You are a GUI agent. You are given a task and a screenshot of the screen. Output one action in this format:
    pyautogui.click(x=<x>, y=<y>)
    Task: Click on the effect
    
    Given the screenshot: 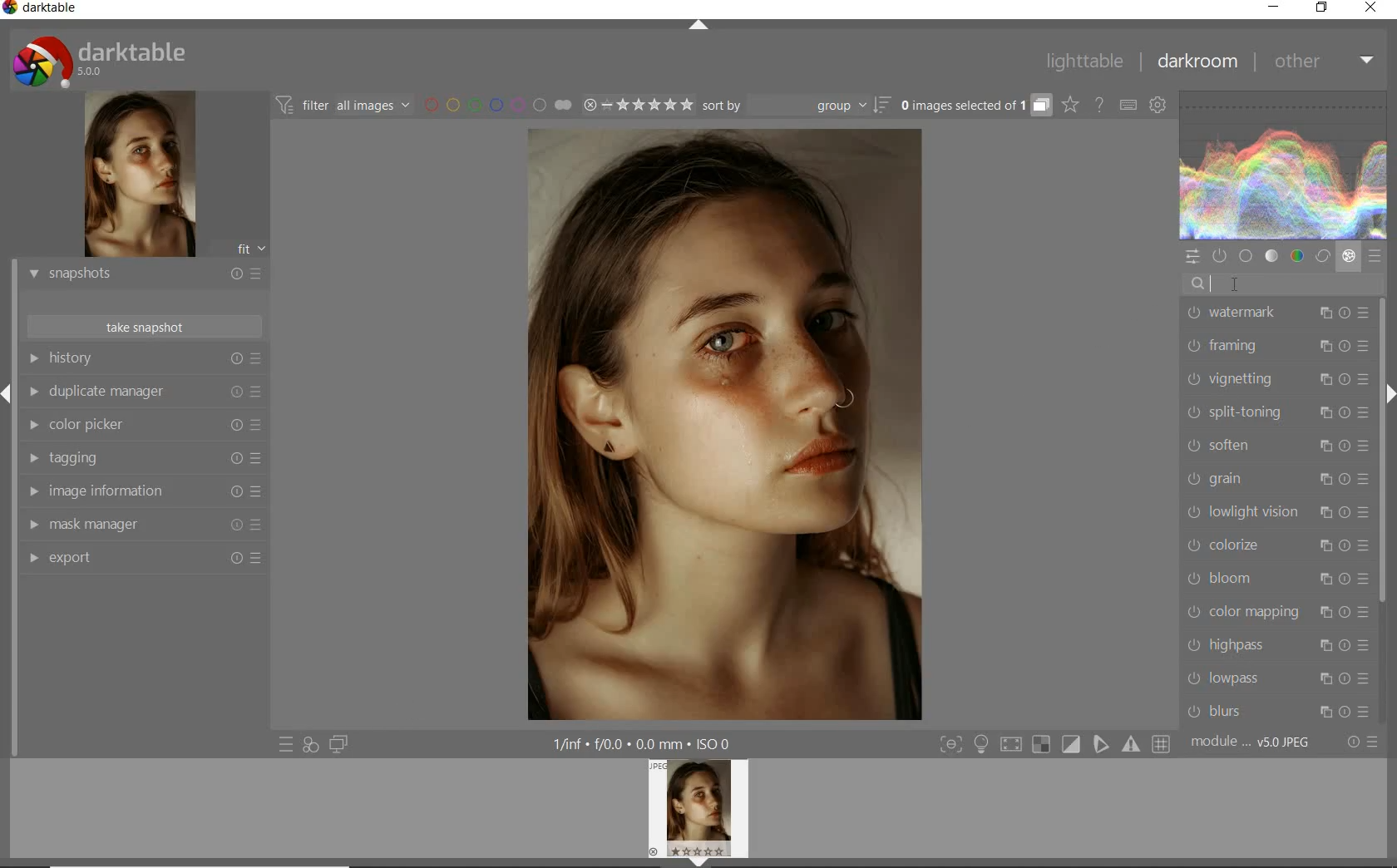 What is the action you would take?
    pyautogui.click(x=1349, y=256)
    